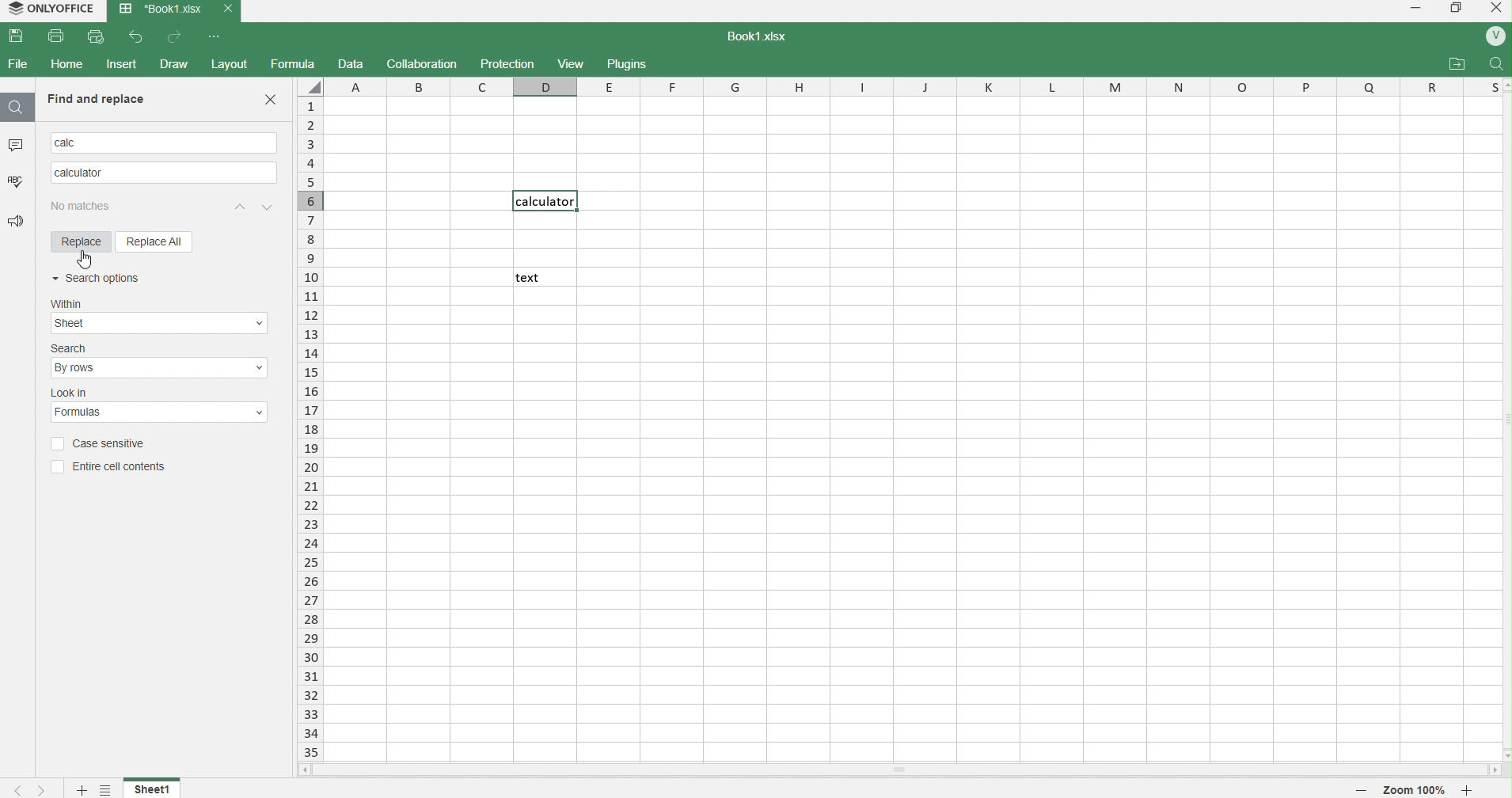  Describe the element at coordinates (159, 323) in the screenshot. I see `Within options` at that location.